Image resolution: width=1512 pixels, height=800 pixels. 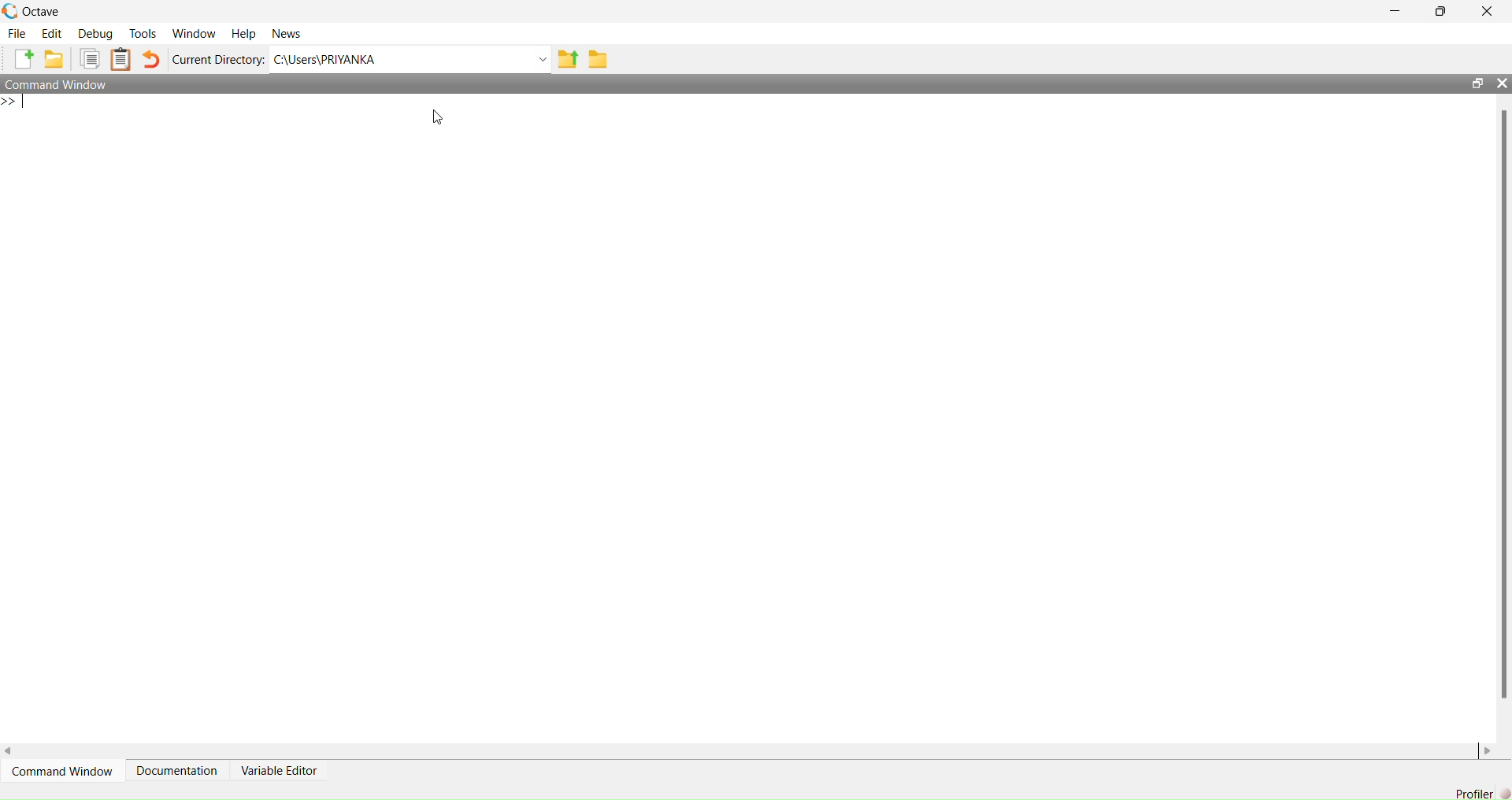 I want to click on debug, so click(x=97, y=35).